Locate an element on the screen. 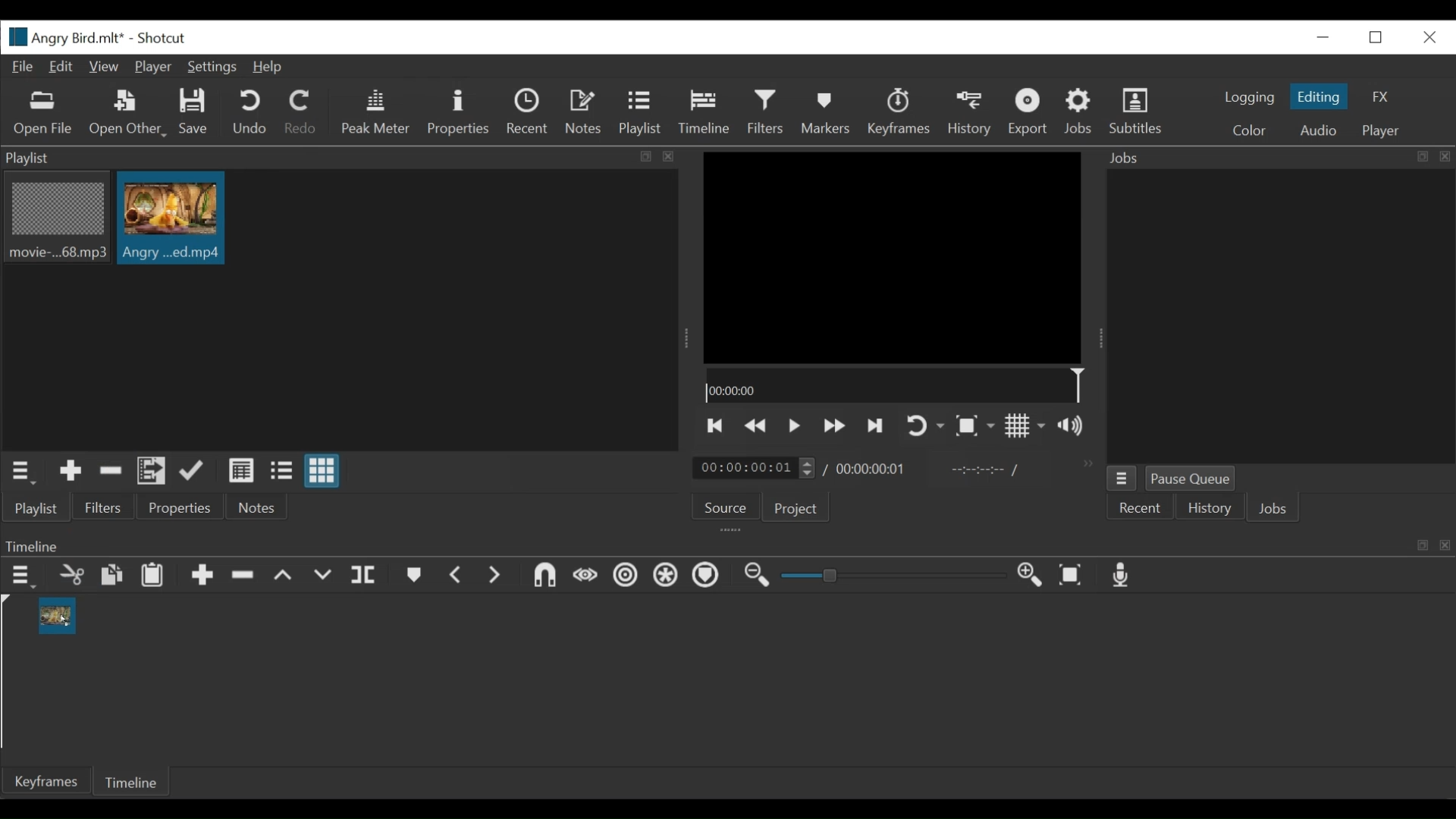  Shotcut is located at coordinates (166, 37).